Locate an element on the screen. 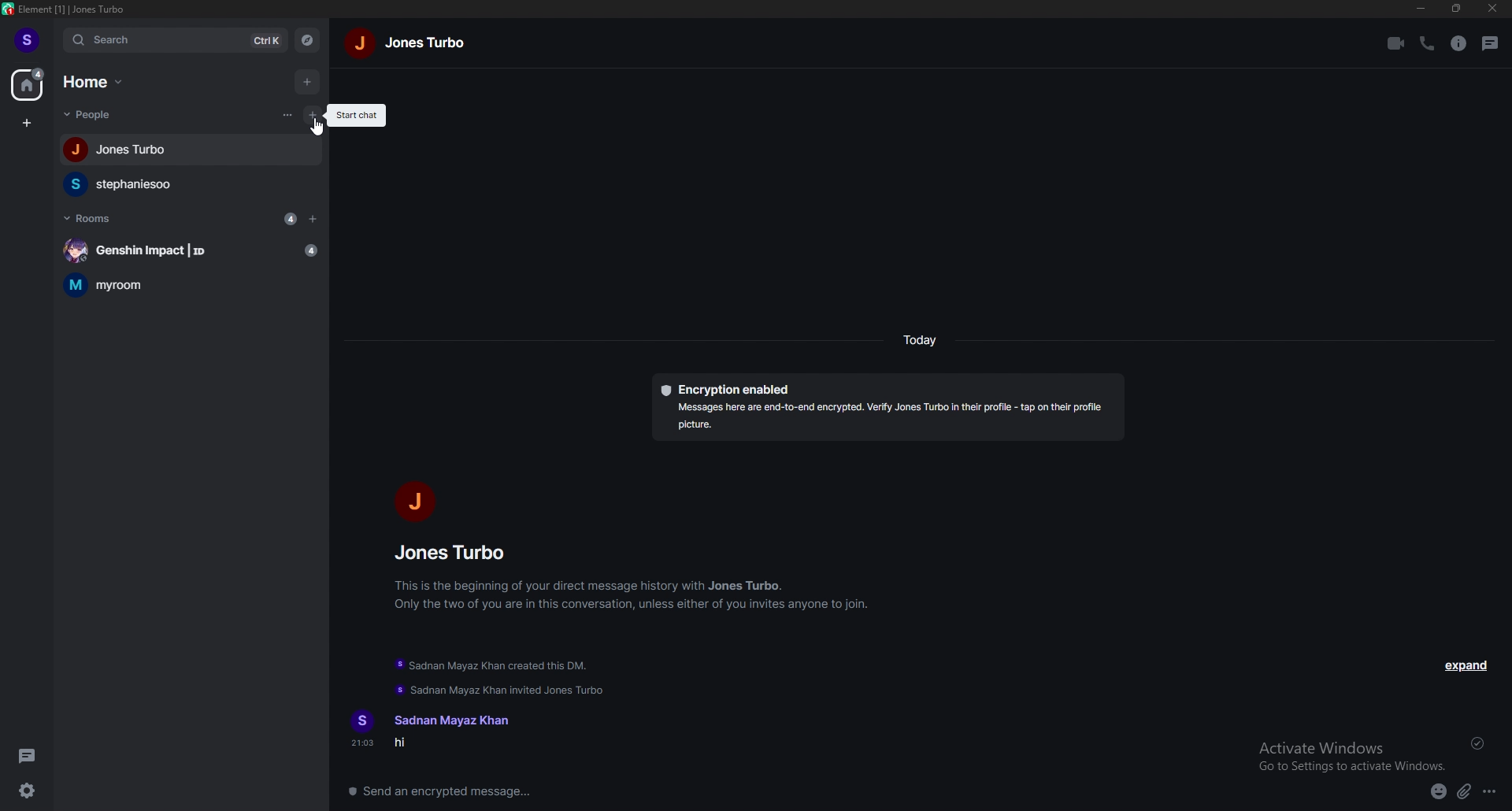  sent is located at coordinates (1476, 744).